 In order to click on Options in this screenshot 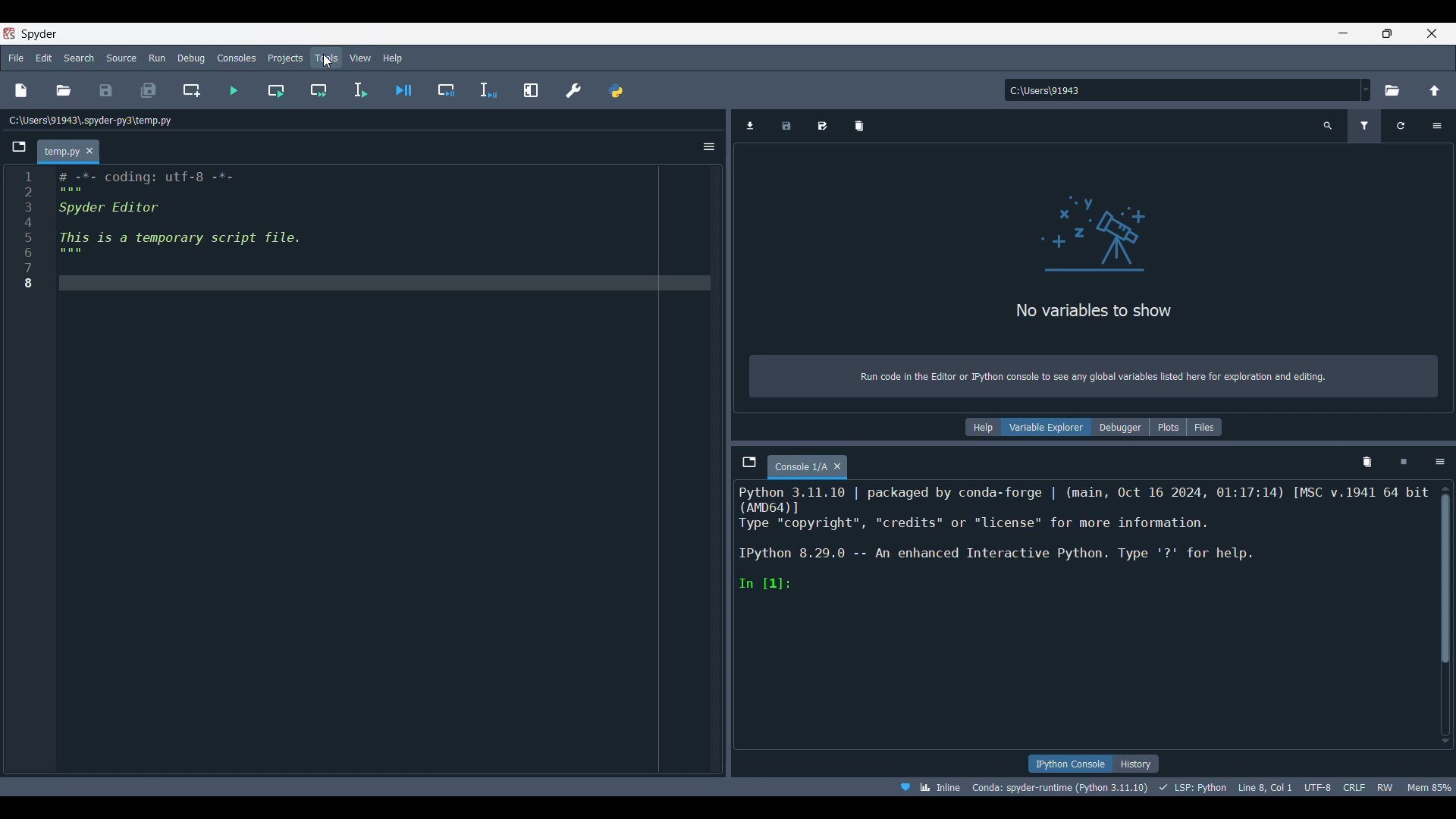, I will do `click(709, 147)`.